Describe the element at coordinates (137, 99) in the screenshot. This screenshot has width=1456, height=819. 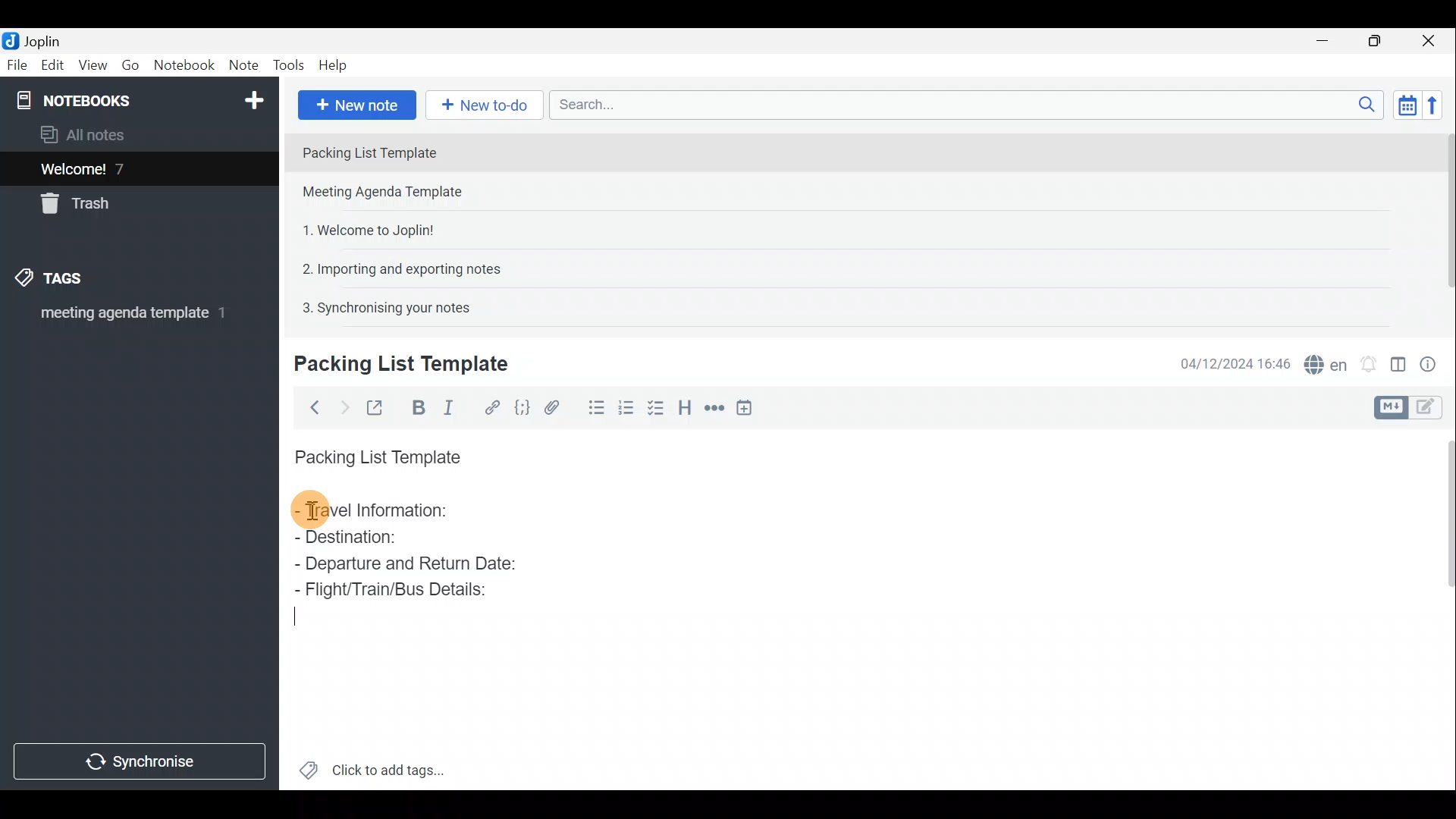
I see `Notebook` at that location.